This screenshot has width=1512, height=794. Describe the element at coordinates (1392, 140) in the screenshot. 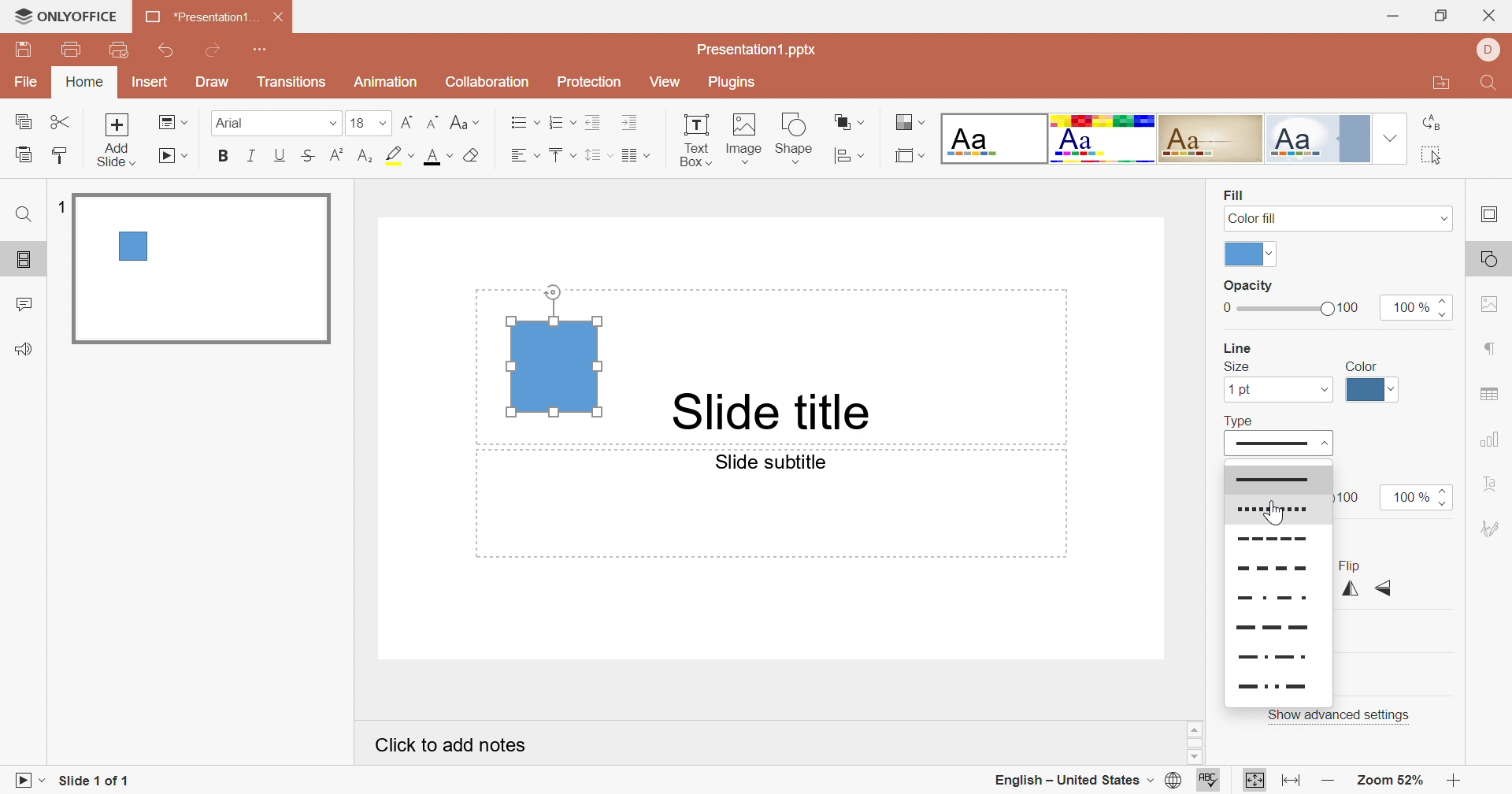

I see `Drop Down` at that location.